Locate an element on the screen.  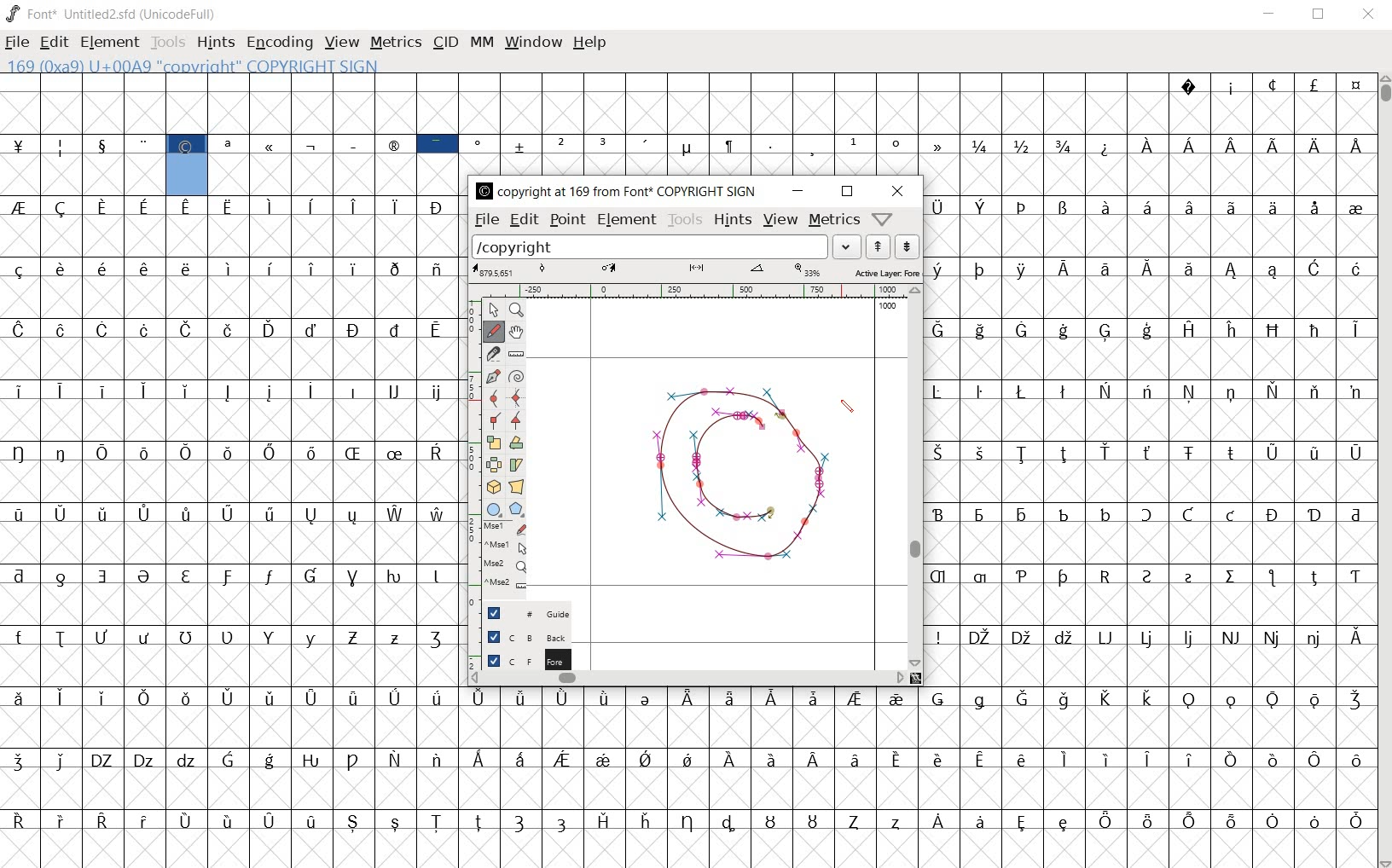
file is located at coordinates (485, 220).